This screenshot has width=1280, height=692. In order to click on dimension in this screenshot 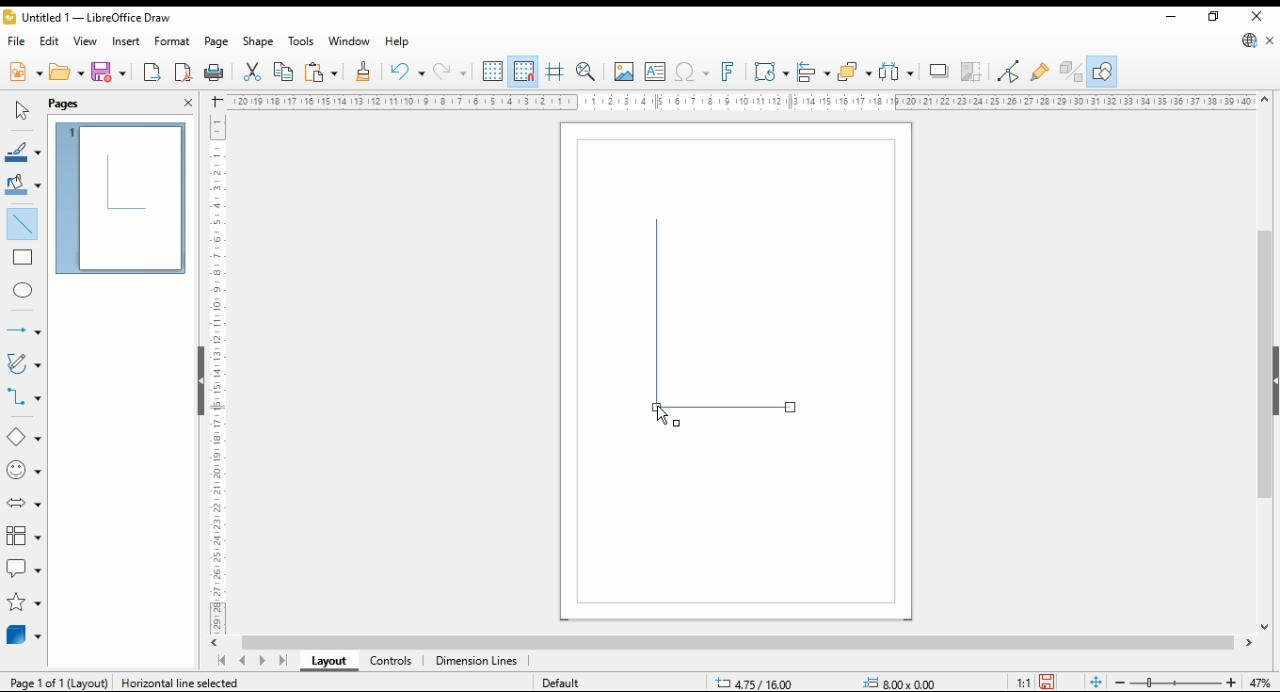, I will do `click(477, 662)`.